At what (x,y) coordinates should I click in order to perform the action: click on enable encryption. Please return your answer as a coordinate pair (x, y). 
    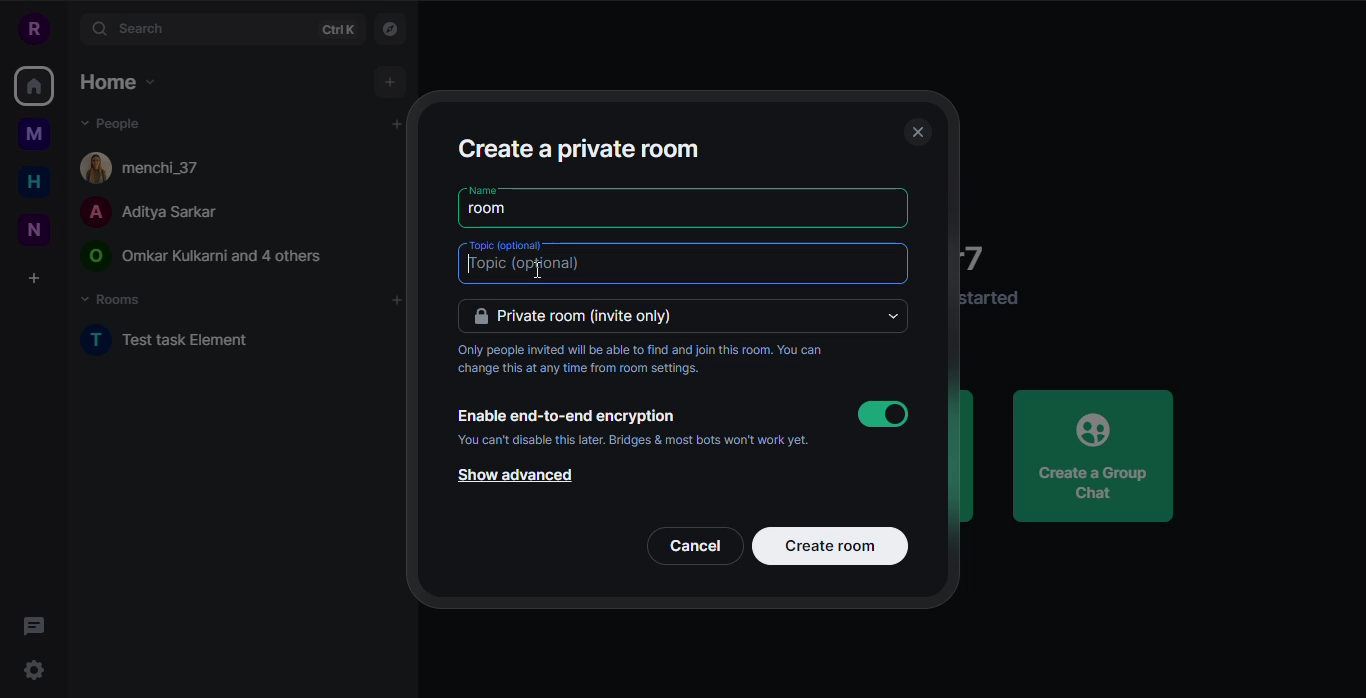
    Looking at the image, I should click on (565, 416).